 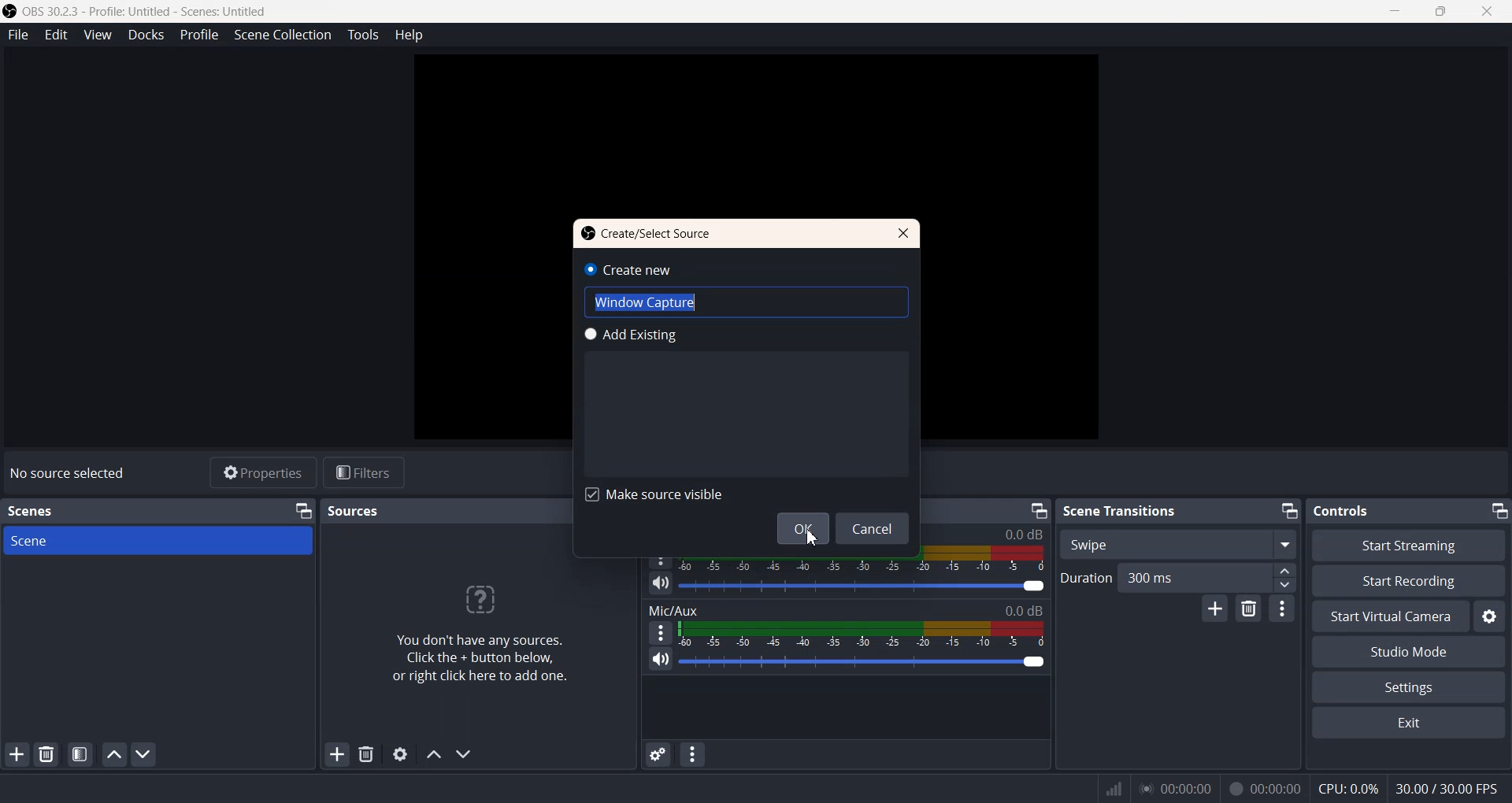 What do you see at coordinates (647, 235) in the screenshot?
I see `Create/Select Source` at bounding box center [647, 235].